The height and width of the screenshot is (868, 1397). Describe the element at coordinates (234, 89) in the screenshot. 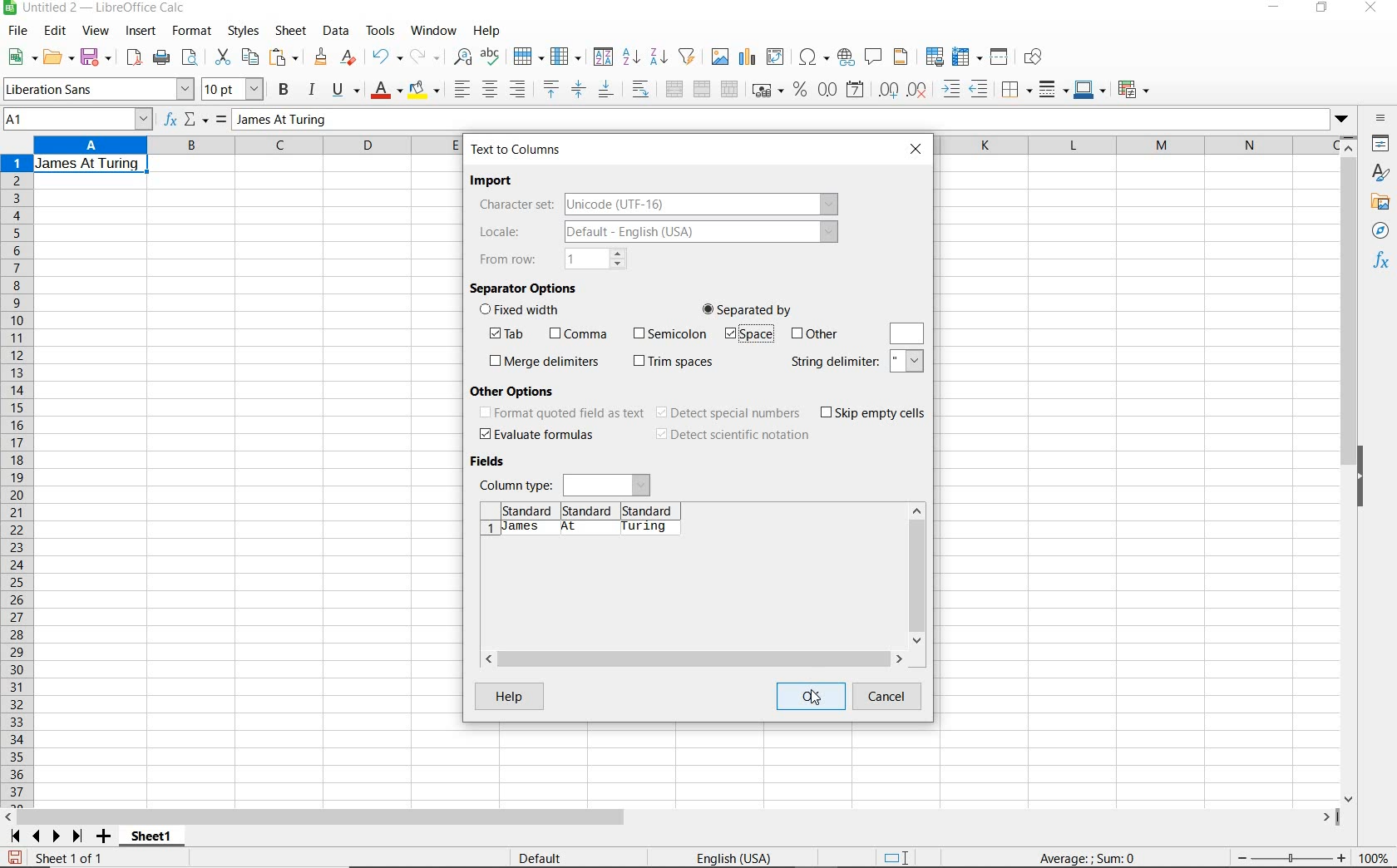

I see `font size` at that location.